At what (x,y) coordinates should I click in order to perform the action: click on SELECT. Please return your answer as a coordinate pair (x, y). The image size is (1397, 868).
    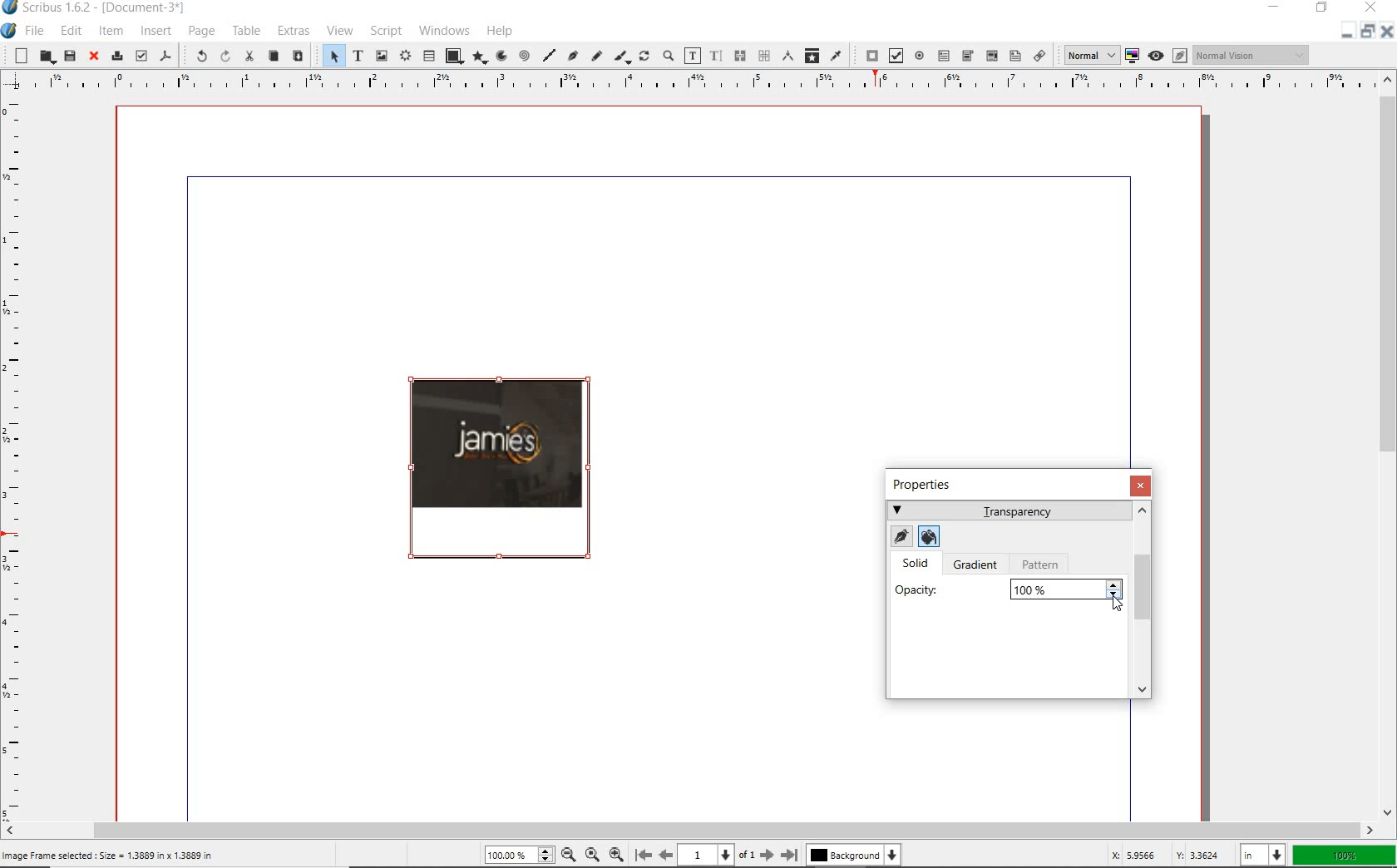
    Looking at the image, I should click on (333, 55).